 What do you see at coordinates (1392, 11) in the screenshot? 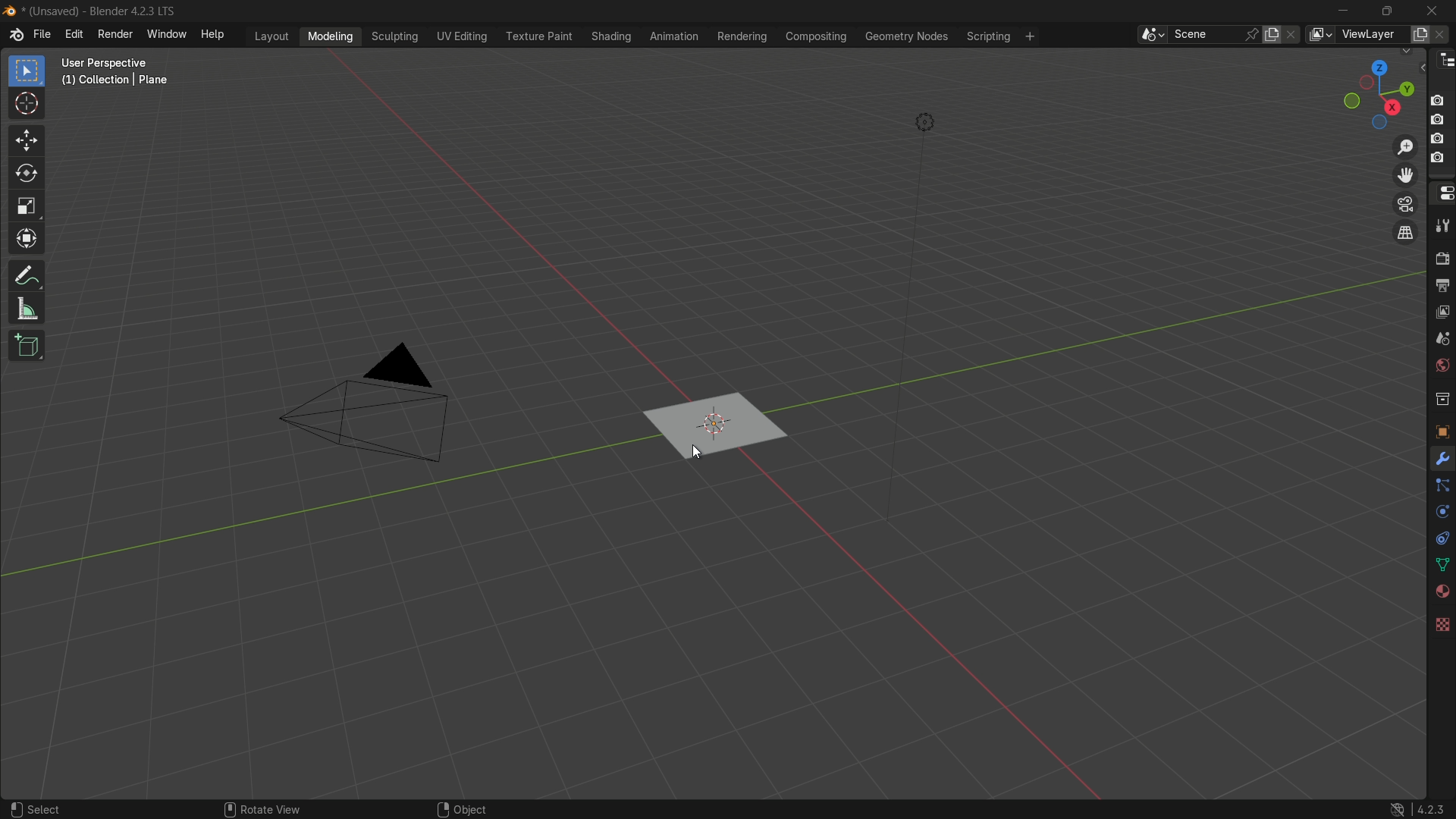
I see `maximize or restore` at bounding box center [1392, 11].